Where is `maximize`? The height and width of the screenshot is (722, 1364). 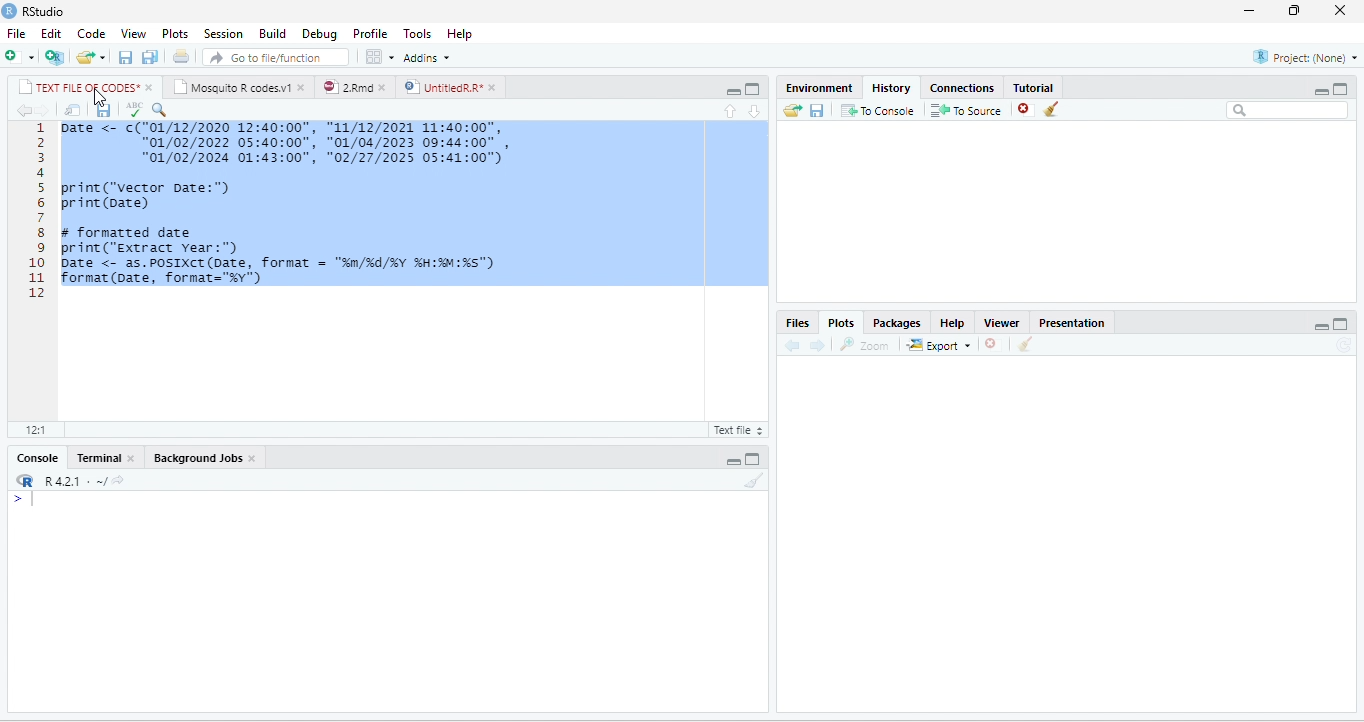
maximize is located at coordinates (752, 458).